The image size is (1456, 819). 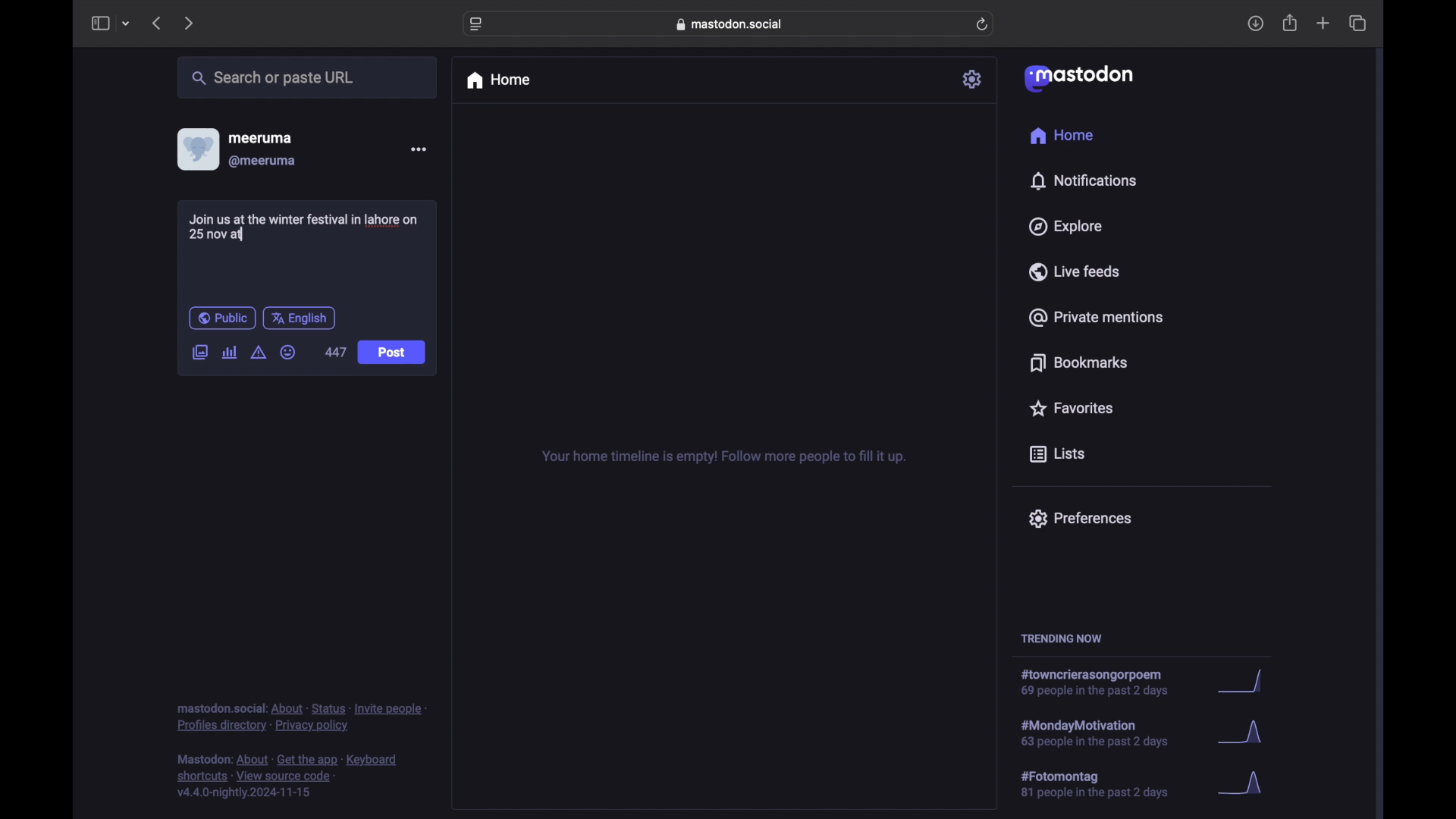 I want to click on your home timeline is empty! follow more people to fill it up, so click(x=723, y=457).